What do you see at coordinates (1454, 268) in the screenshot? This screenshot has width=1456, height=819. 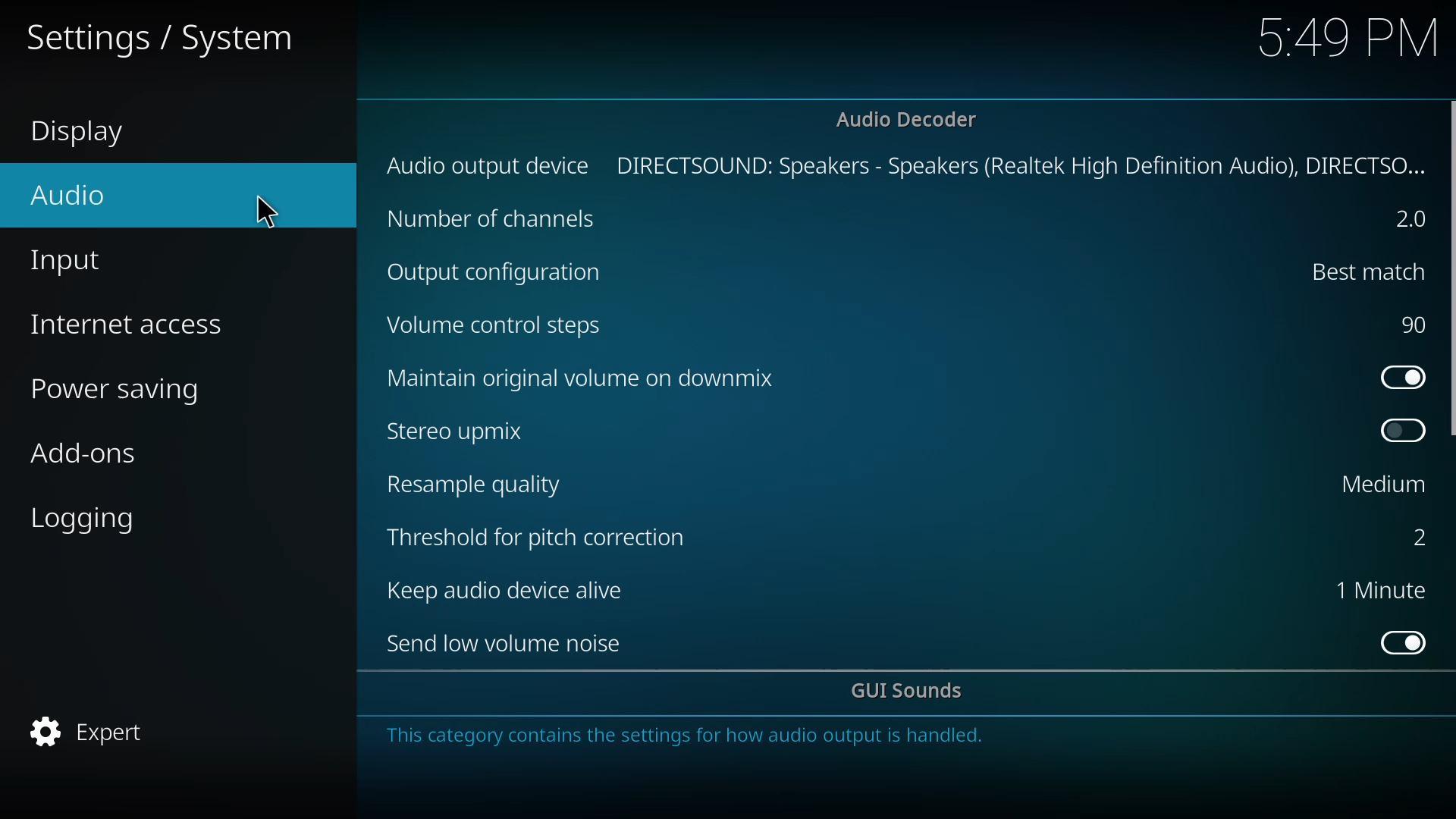 I see `scroll bar` at bounding box center [1454, 268].